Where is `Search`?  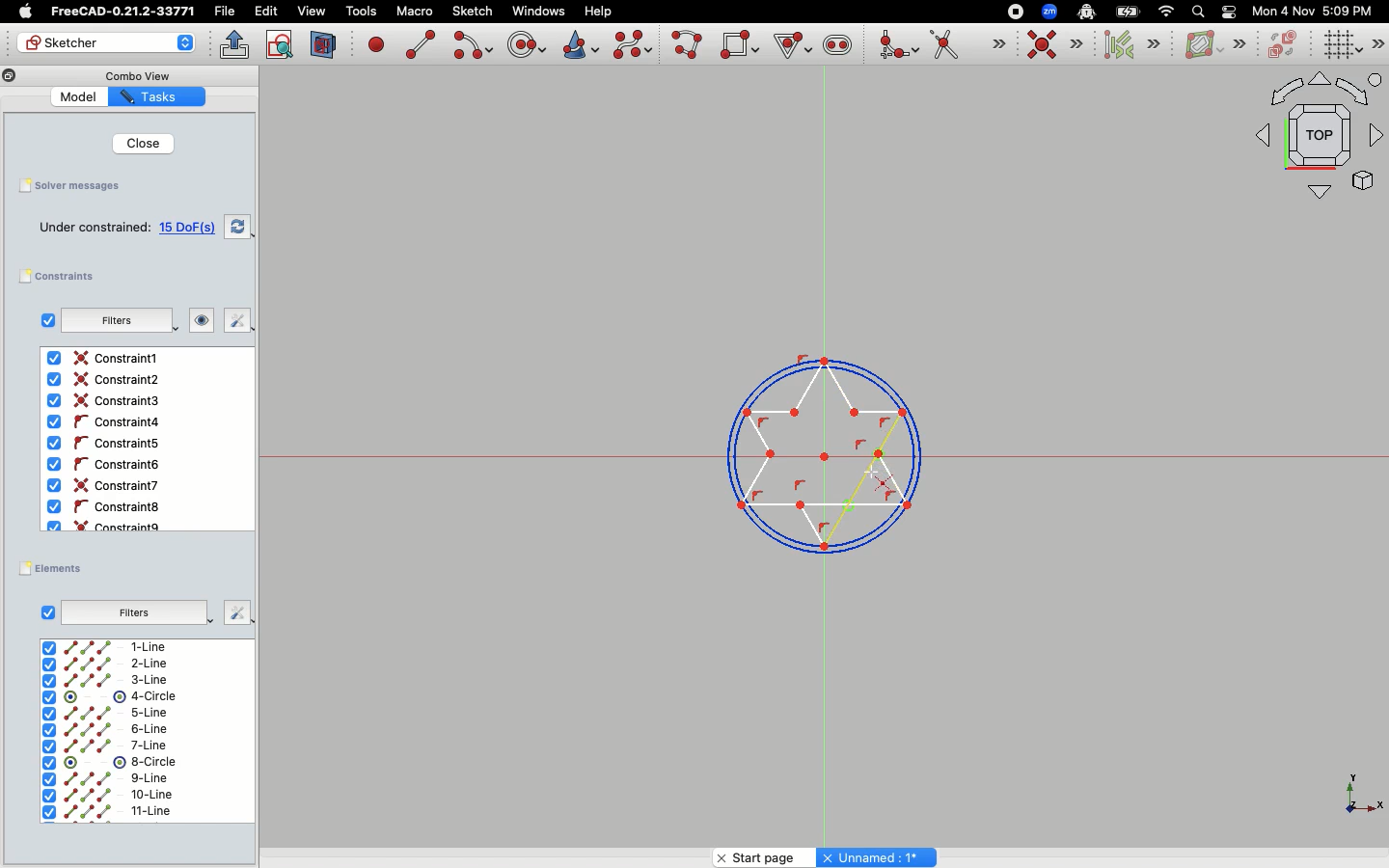
Search is located at coordinates (1197, 11).